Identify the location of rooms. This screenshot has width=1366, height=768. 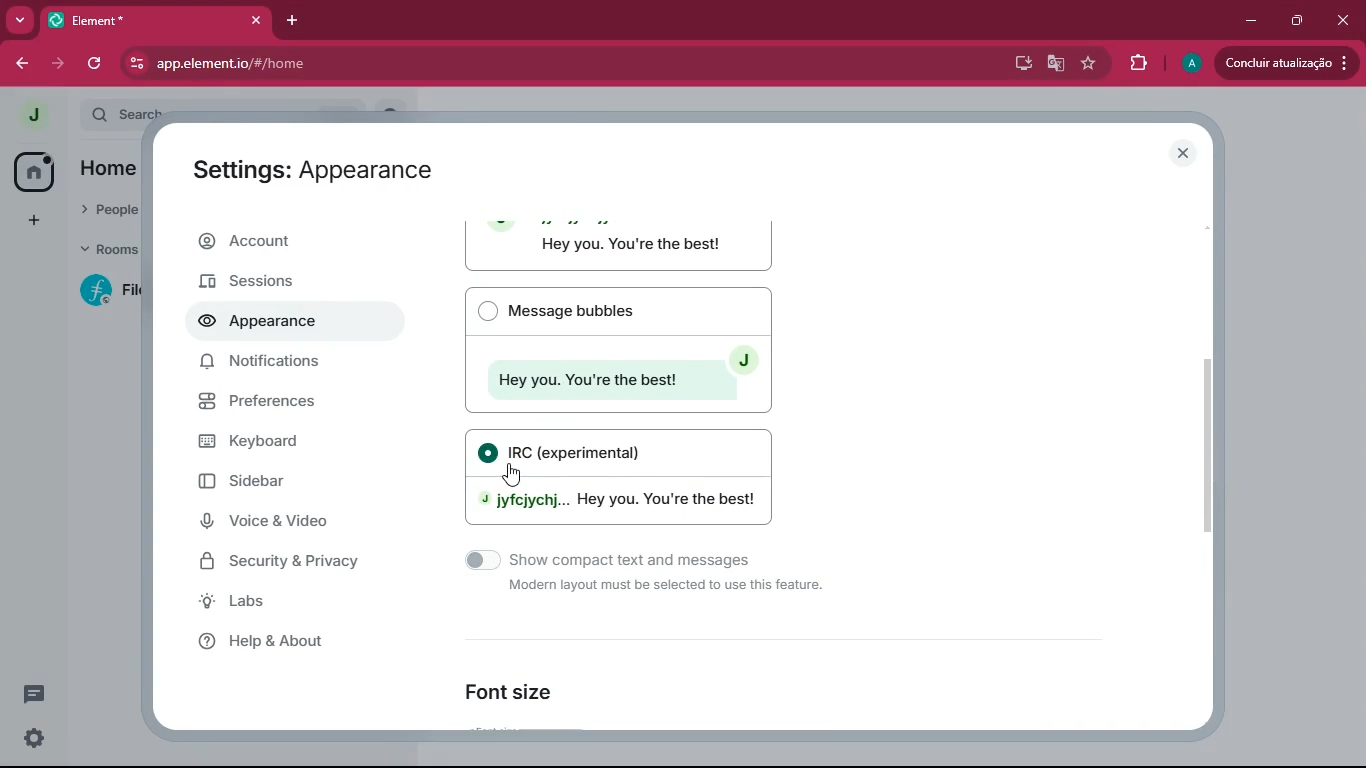
(106, 248).